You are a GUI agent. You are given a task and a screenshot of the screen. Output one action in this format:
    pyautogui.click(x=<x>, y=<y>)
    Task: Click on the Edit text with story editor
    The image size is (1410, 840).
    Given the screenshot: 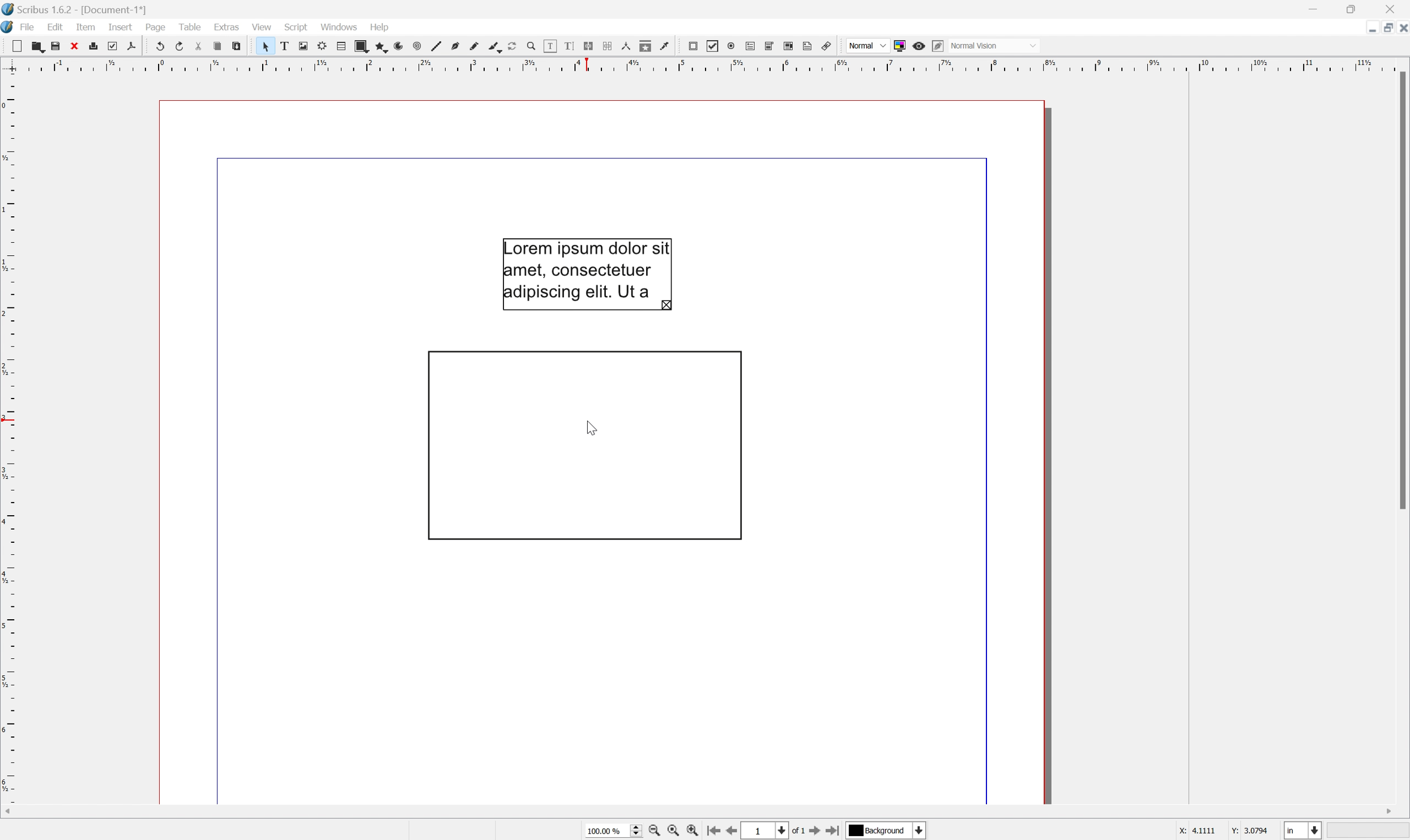 What is the action you would take?
    pyautogui.click(x=567, y=45)
    